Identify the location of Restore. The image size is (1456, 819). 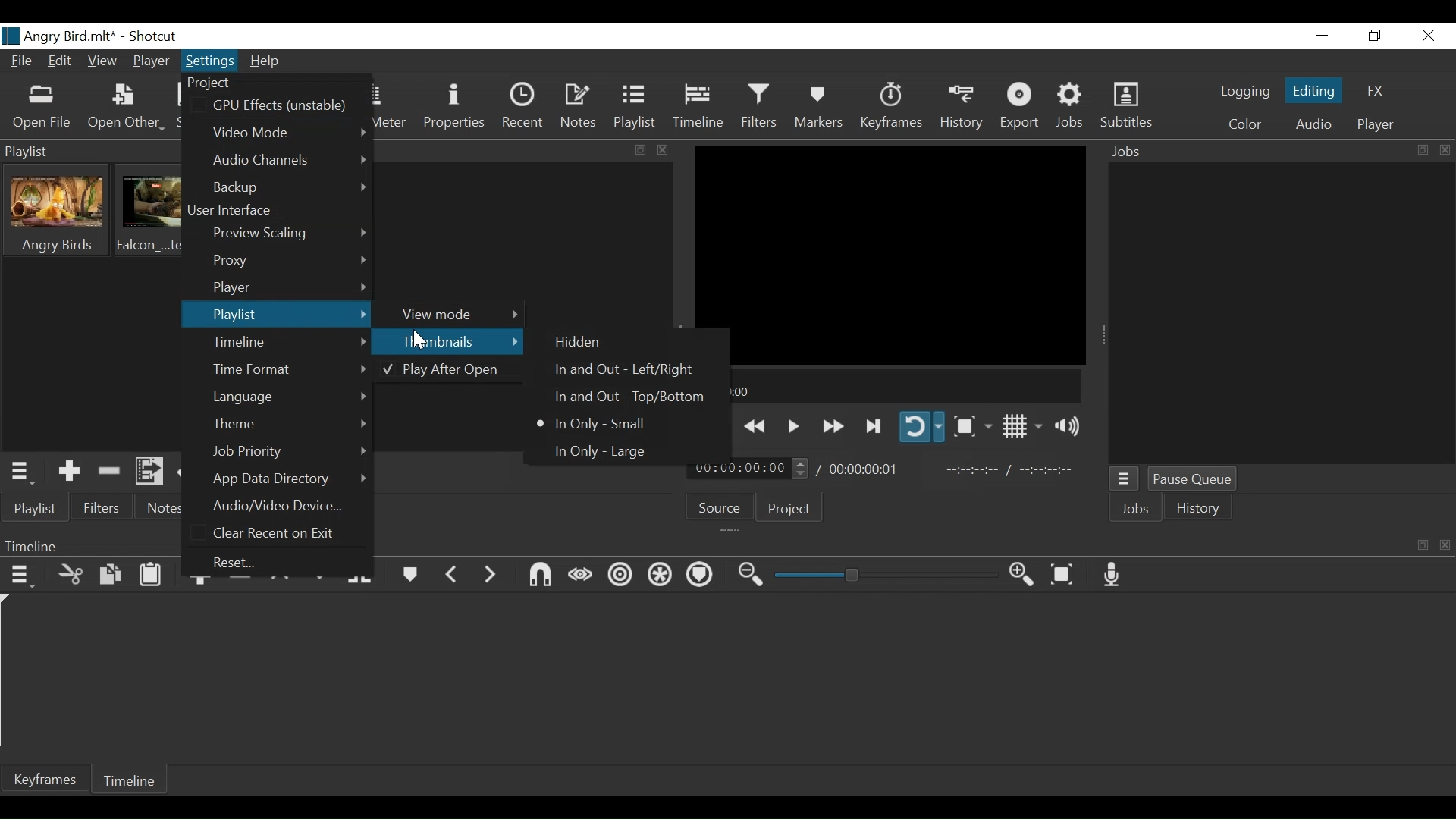
(1373, 36).